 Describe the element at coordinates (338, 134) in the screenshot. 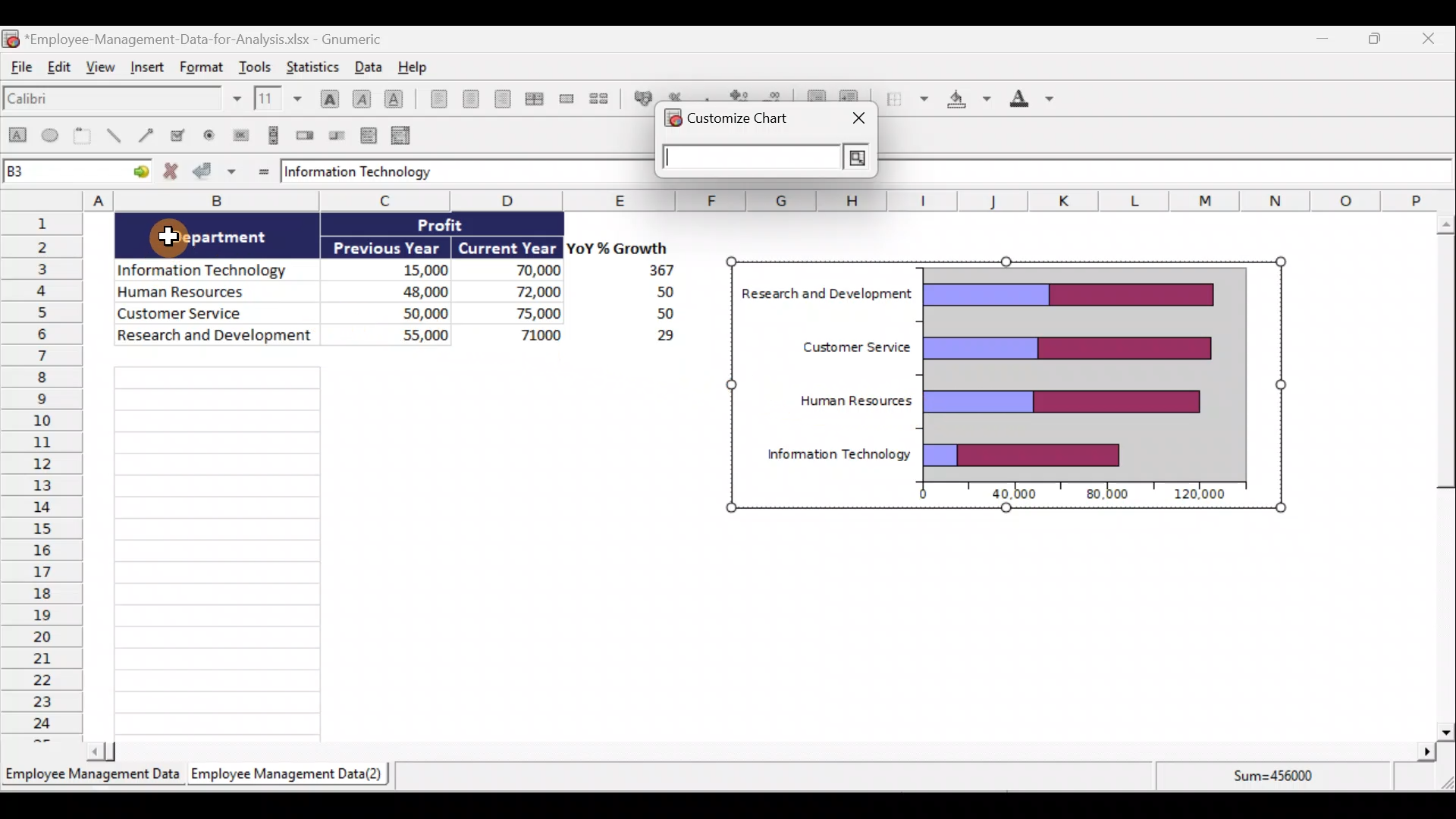

I see `Create a slider` at that location.